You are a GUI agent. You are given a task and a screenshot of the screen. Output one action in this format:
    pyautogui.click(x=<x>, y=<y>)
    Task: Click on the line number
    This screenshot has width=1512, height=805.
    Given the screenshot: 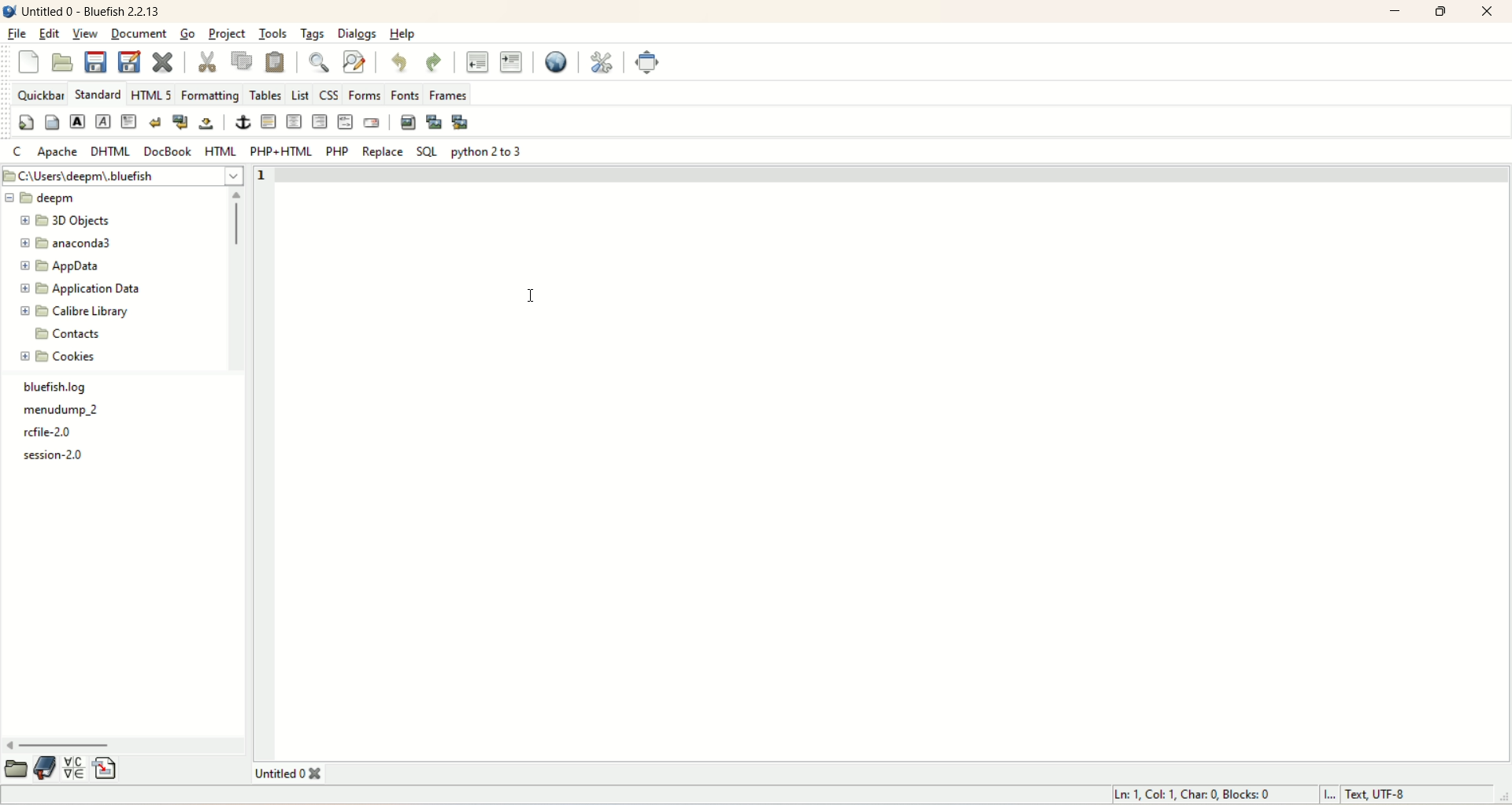 What is the action you would take?
    pyautogui.click(x=260, y=176)
    